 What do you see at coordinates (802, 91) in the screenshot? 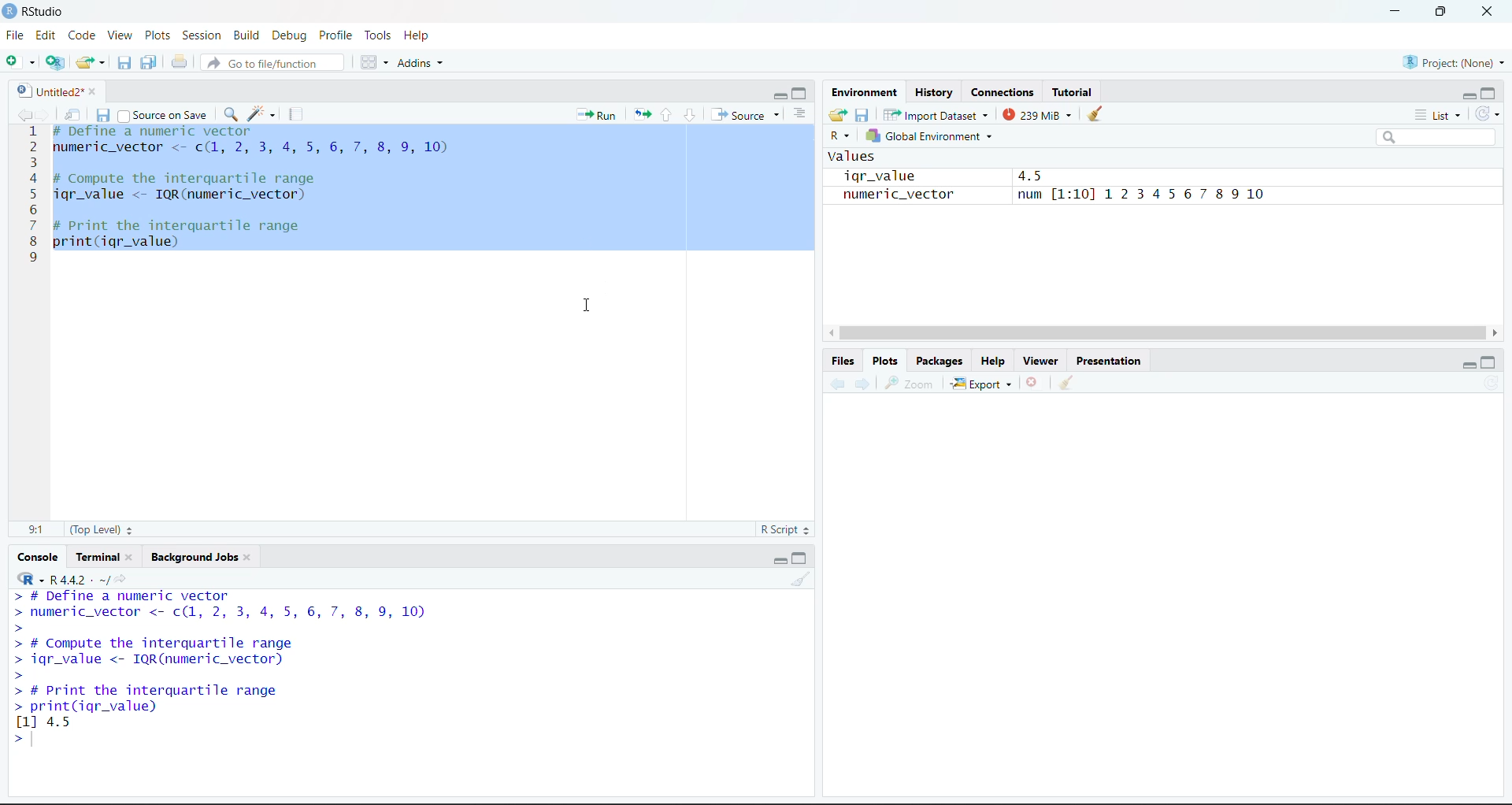
I see `Maximize` at bounding box center [802, 91].